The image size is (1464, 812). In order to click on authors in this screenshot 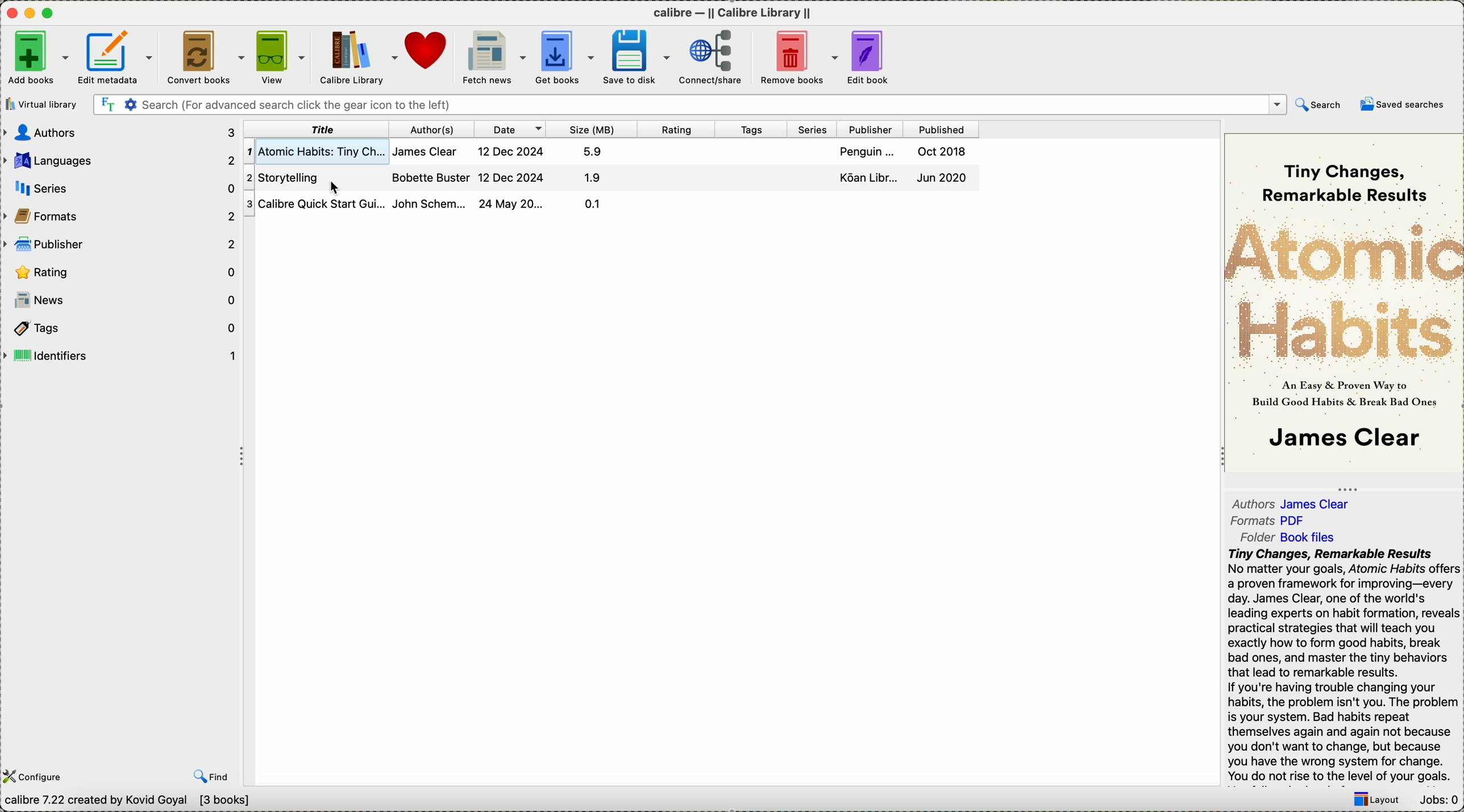, I will do `click(120, 132)`.